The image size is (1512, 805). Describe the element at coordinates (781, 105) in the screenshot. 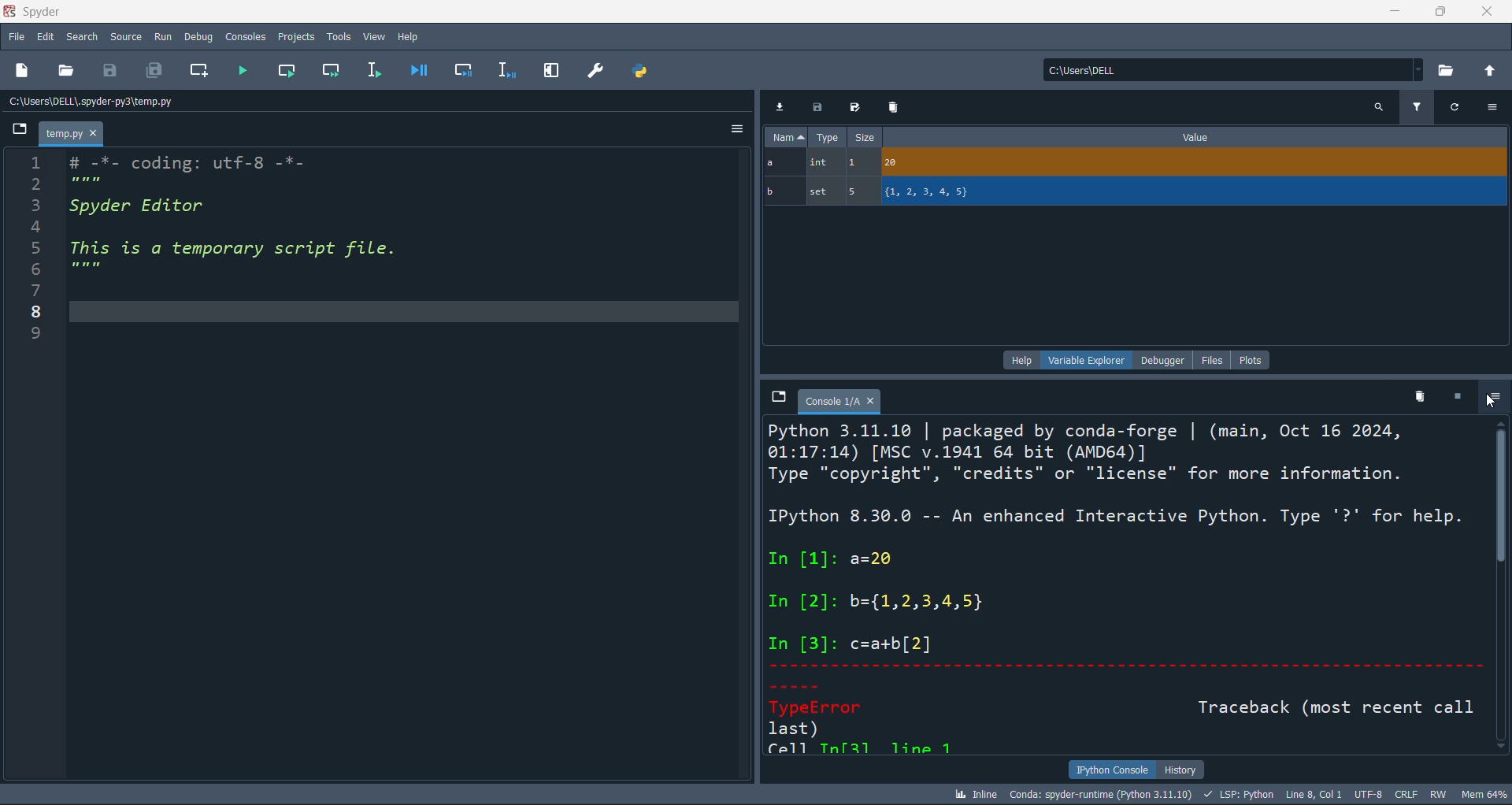

I see `import data` at that location.